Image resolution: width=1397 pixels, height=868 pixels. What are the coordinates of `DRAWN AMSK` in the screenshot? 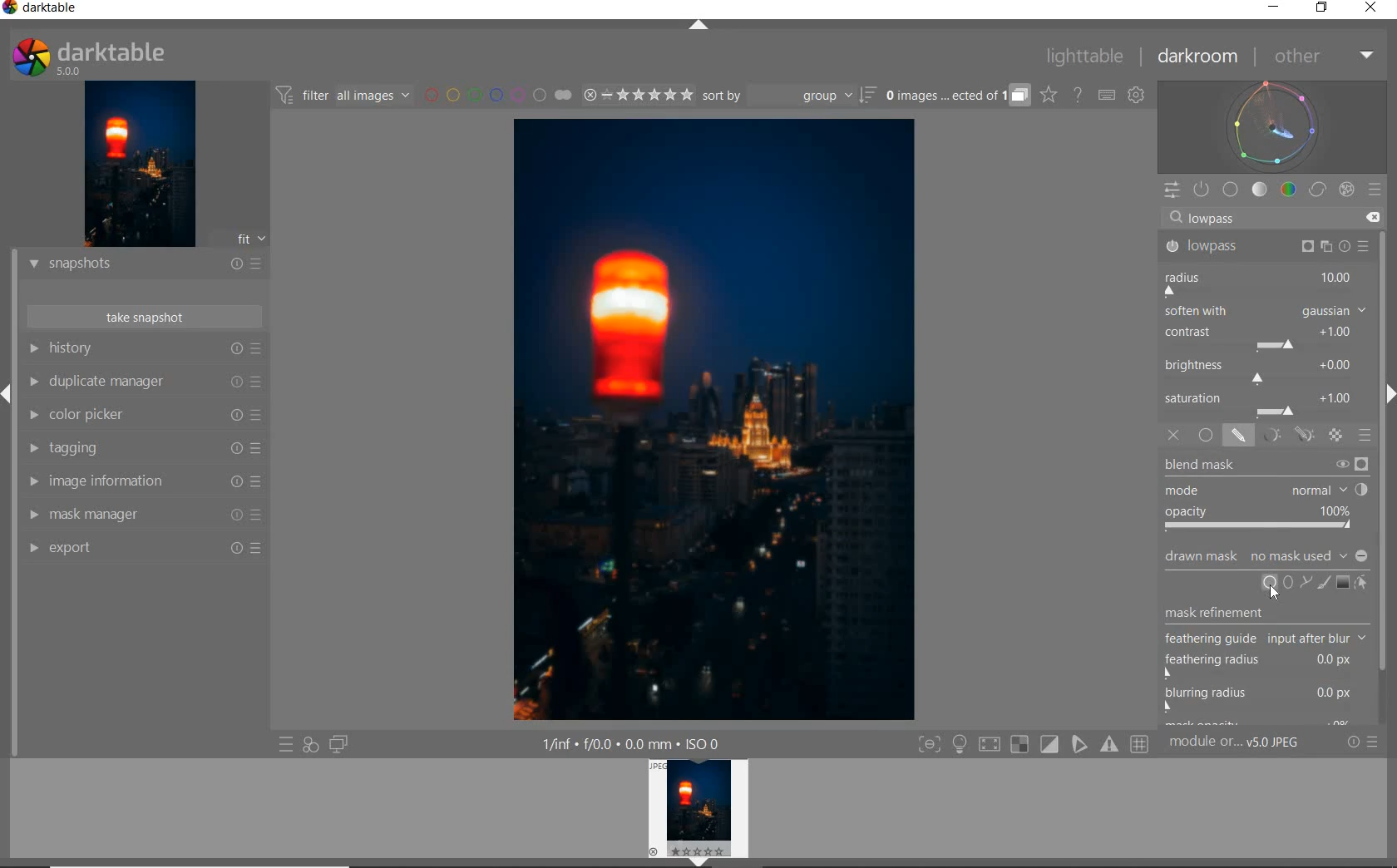 It's located at (1265, 554).